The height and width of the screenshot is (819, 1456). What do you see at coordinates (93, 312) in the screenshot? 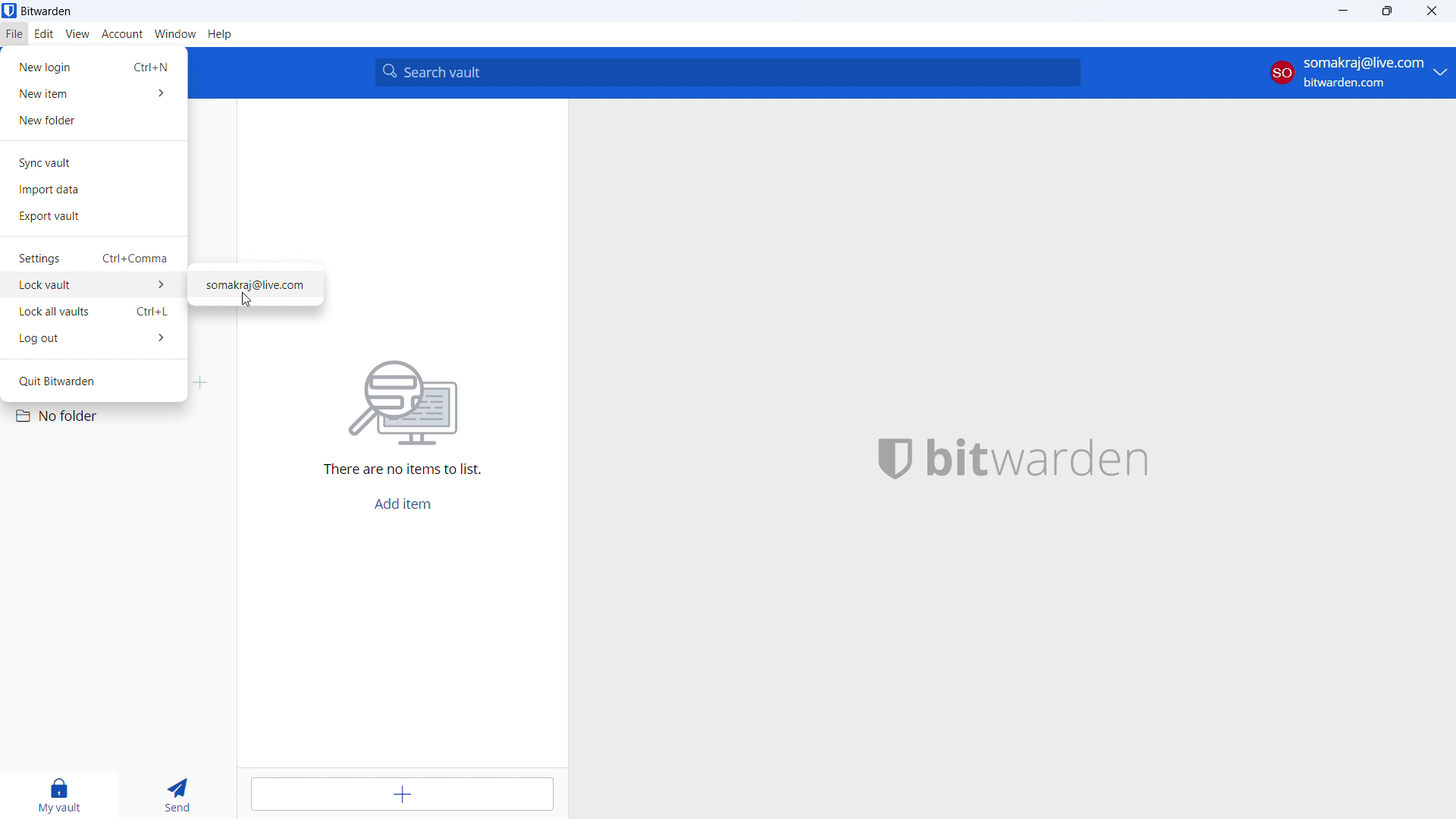
I see `lock all vaults` at bounding box center [93, 312].